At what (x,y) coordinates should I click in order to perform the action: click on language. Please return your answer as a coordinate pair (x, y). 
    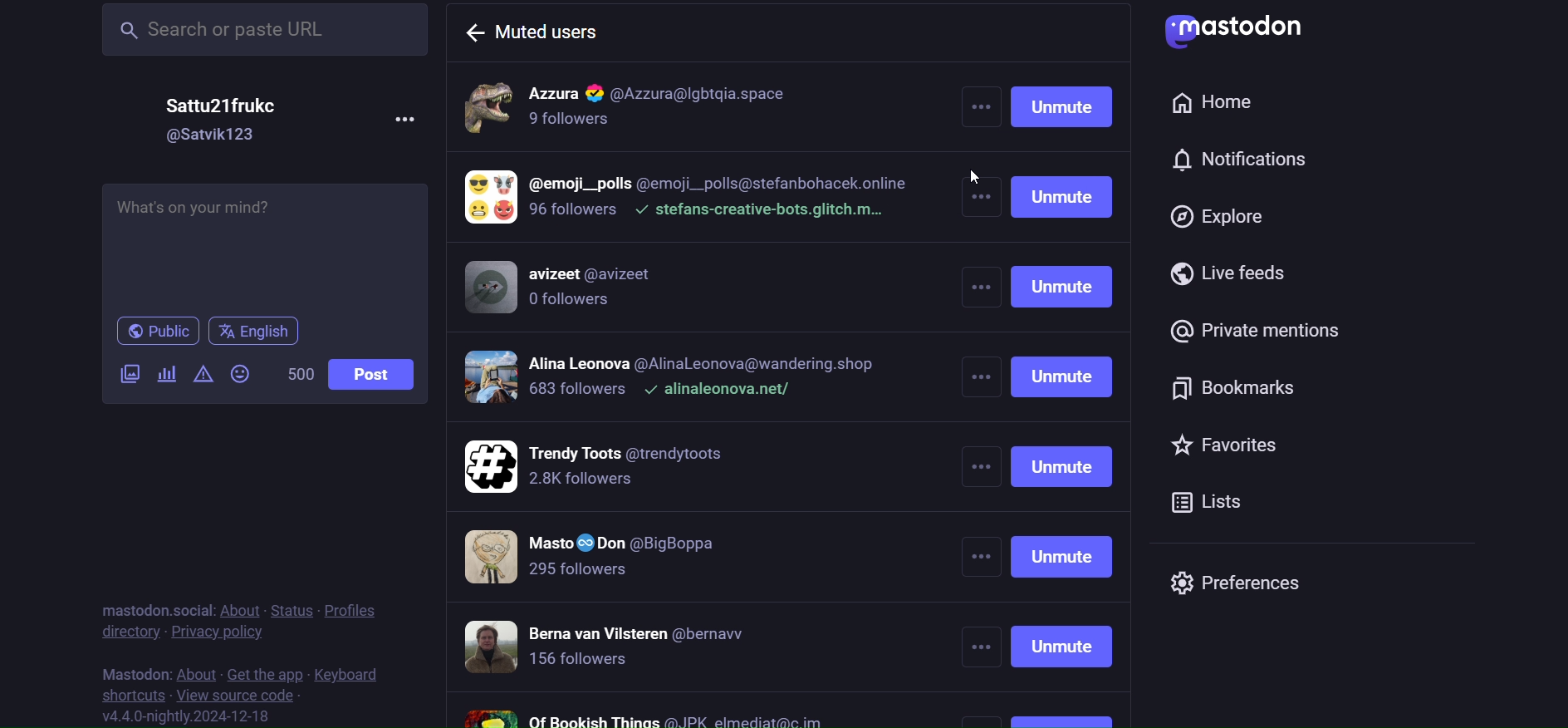
    Looking at the image, I should click on (256, 332).